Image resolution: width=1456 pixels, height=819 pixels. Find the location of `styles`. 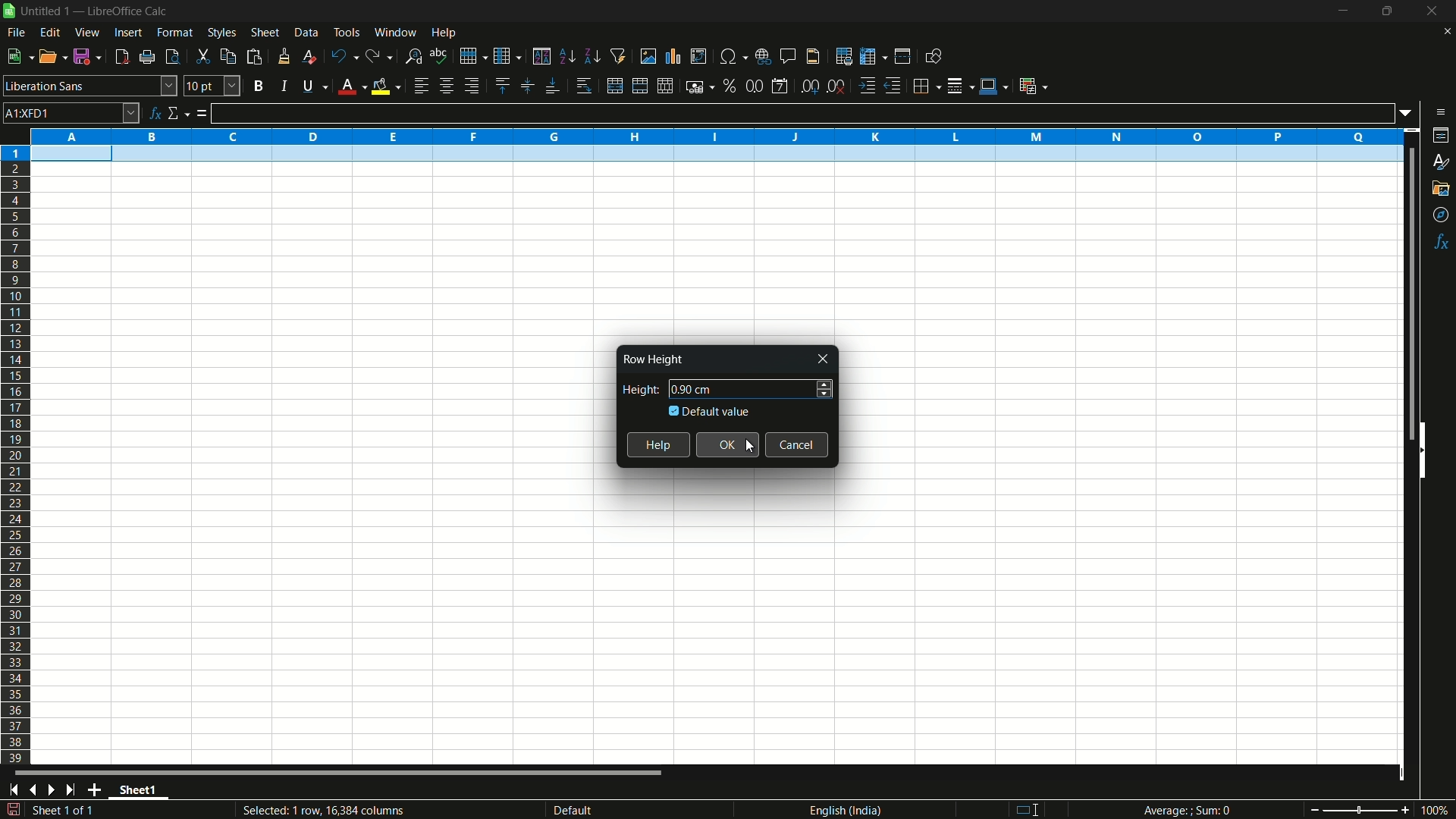

styles is located at coordinates (1439, 163).